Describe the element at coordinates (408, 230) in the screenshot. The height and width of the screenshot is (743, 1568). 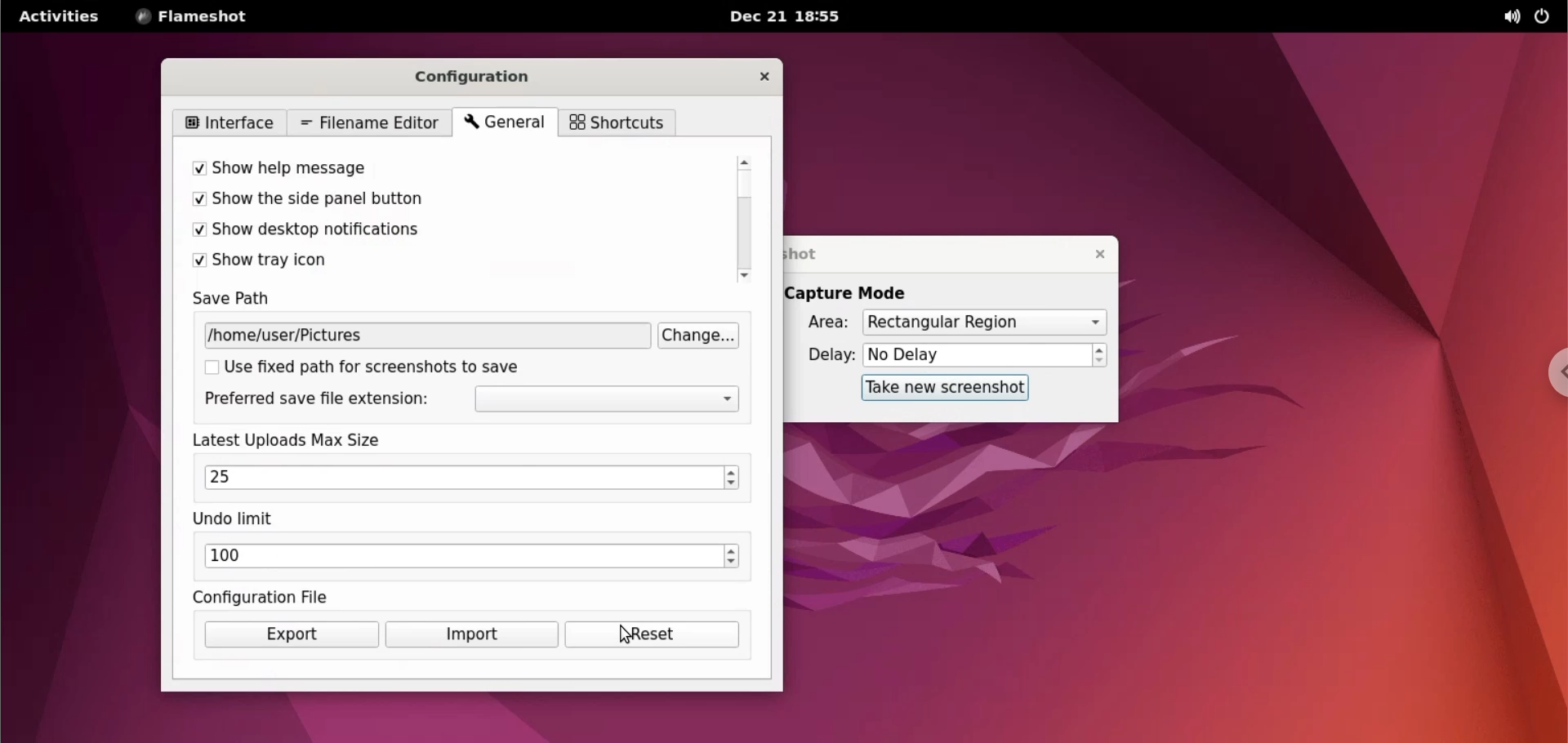
I see `show desktop notifications` at that location.